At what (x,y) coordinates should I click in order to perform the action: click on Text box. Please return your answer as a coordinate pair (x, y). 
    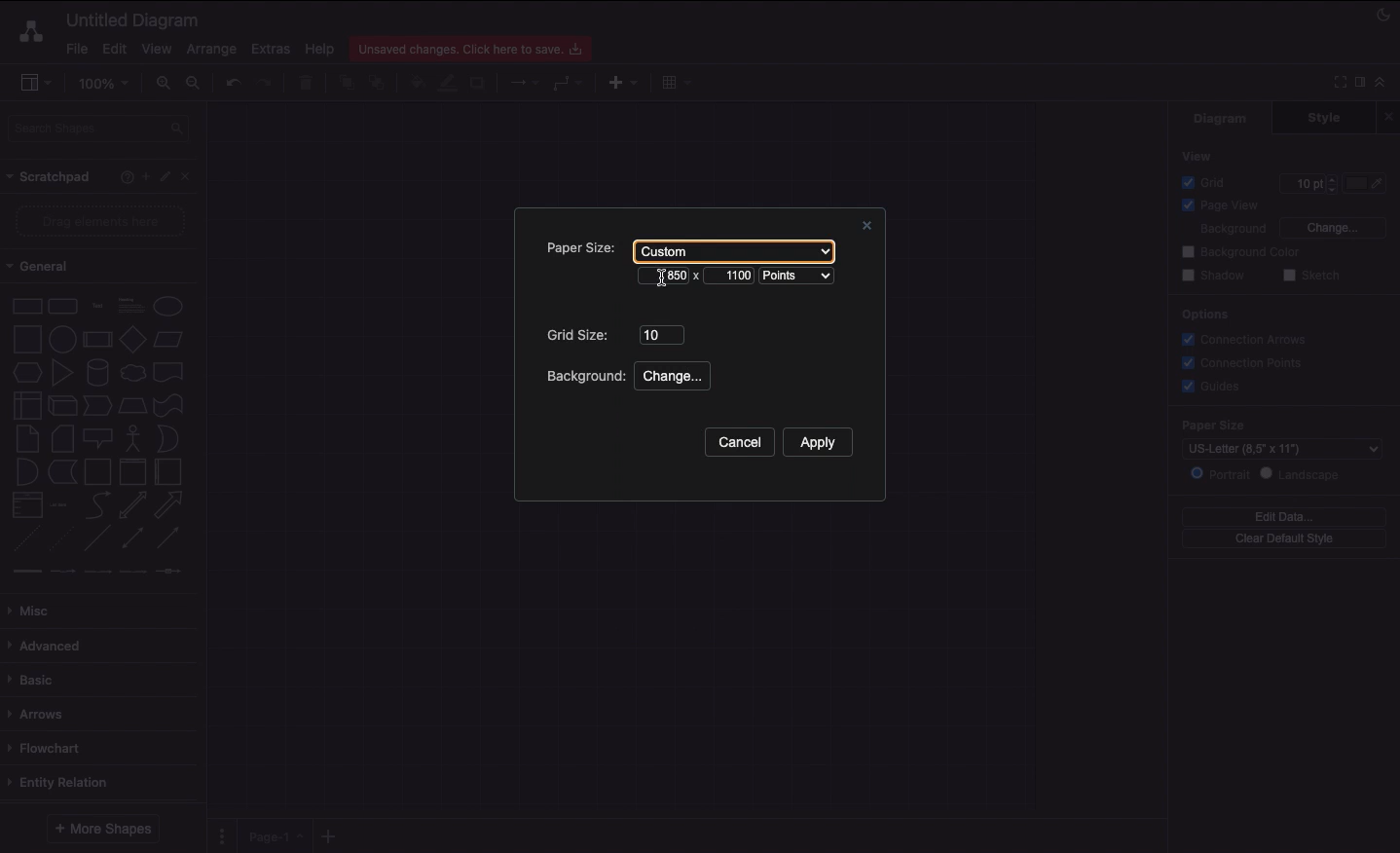
    Looking at the image, I should click on (129, 306).